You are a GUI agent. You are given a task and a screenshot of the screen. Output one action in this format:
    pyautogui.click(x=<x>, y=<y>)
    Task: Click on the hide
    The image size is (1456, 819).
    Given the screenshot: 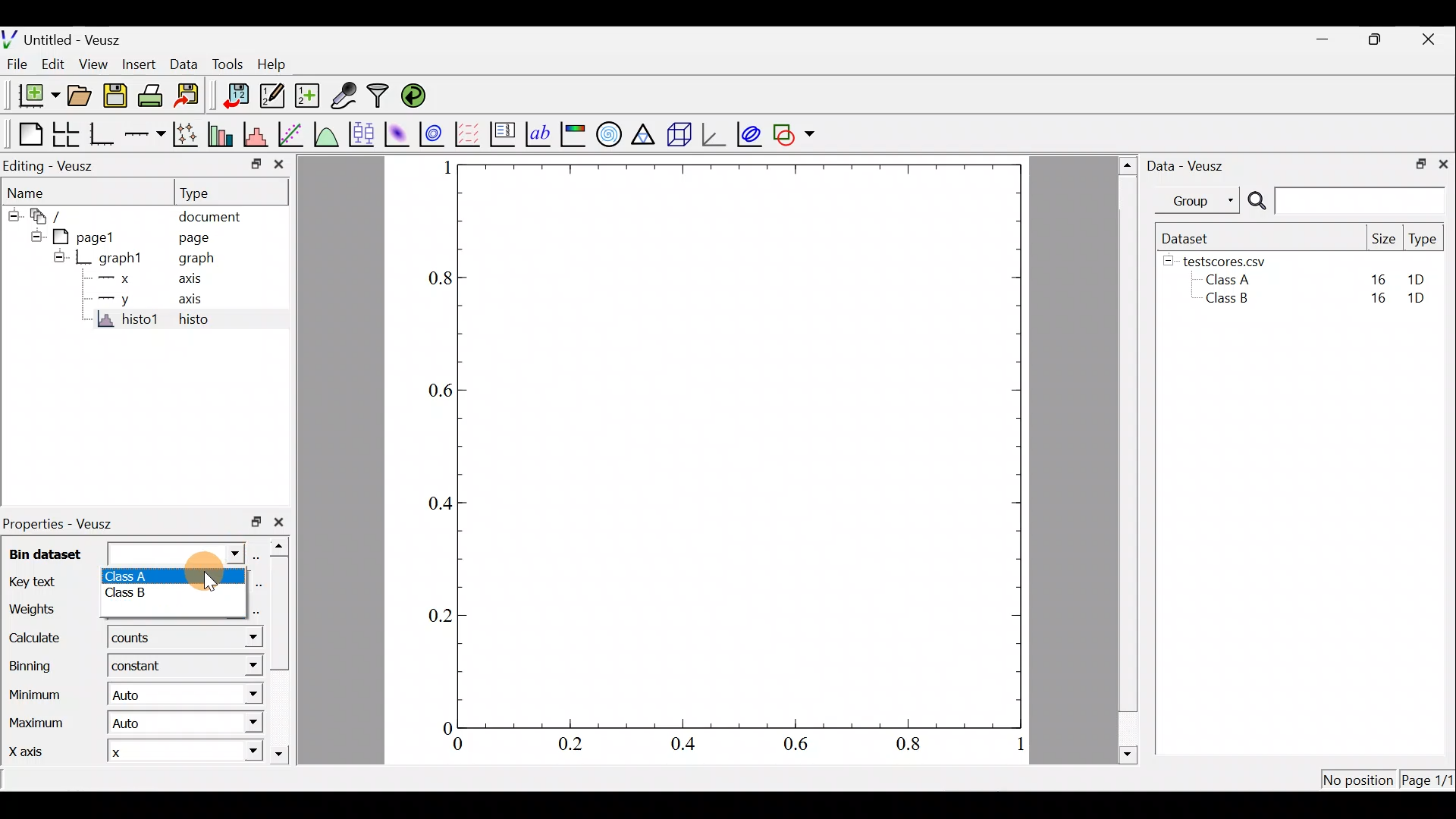 What is the action you would take?
    pyautogui.click(x=13, y=216)
    